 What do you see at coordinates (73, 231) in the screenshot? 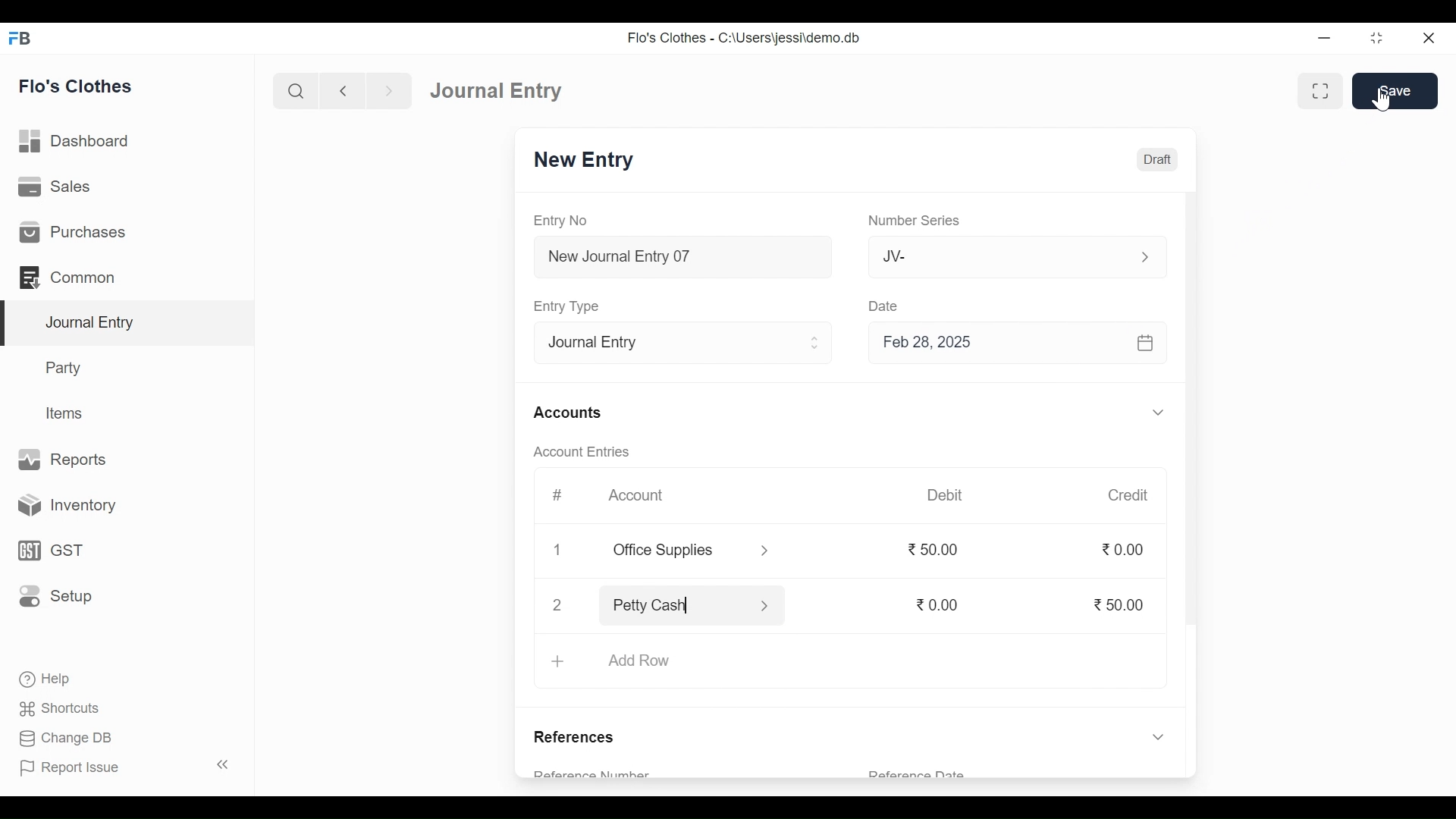
I see `Purchases` at bounding box center [73, 231].